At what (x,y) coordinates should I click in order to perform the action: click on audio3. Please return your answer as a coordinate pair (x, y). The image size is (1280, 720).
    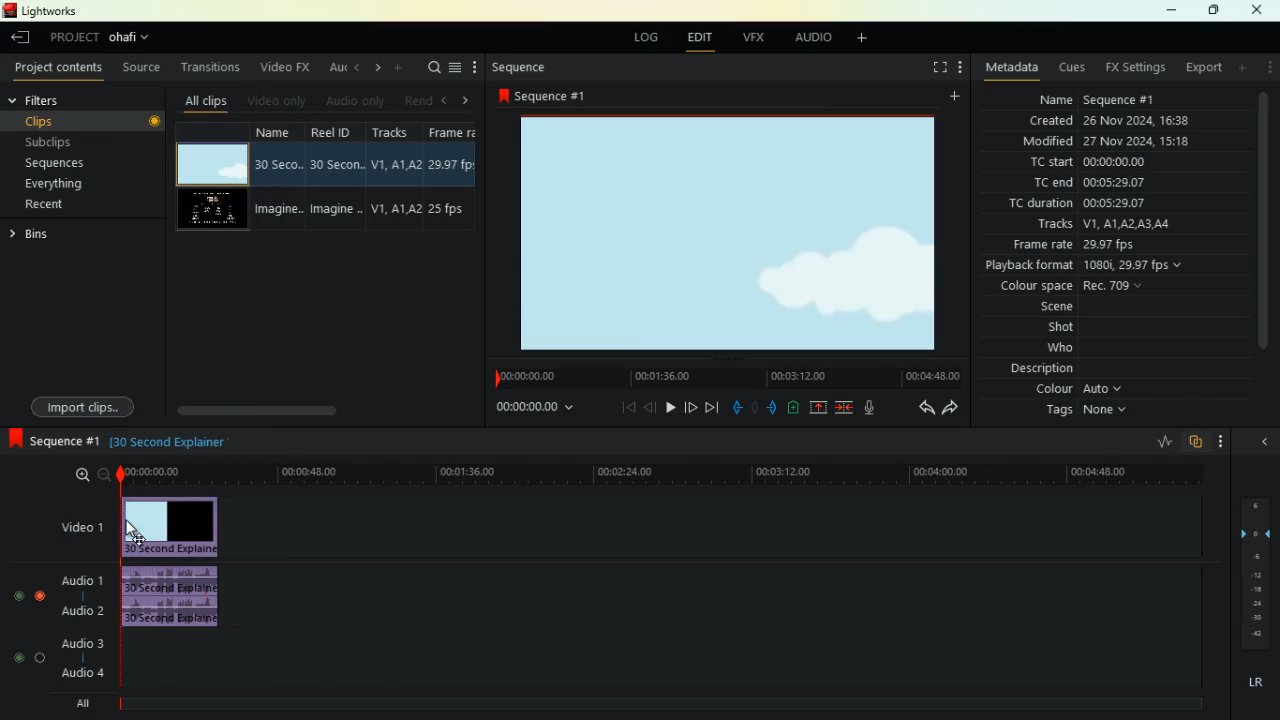
    Looking at the image, I should click on (78, 642).